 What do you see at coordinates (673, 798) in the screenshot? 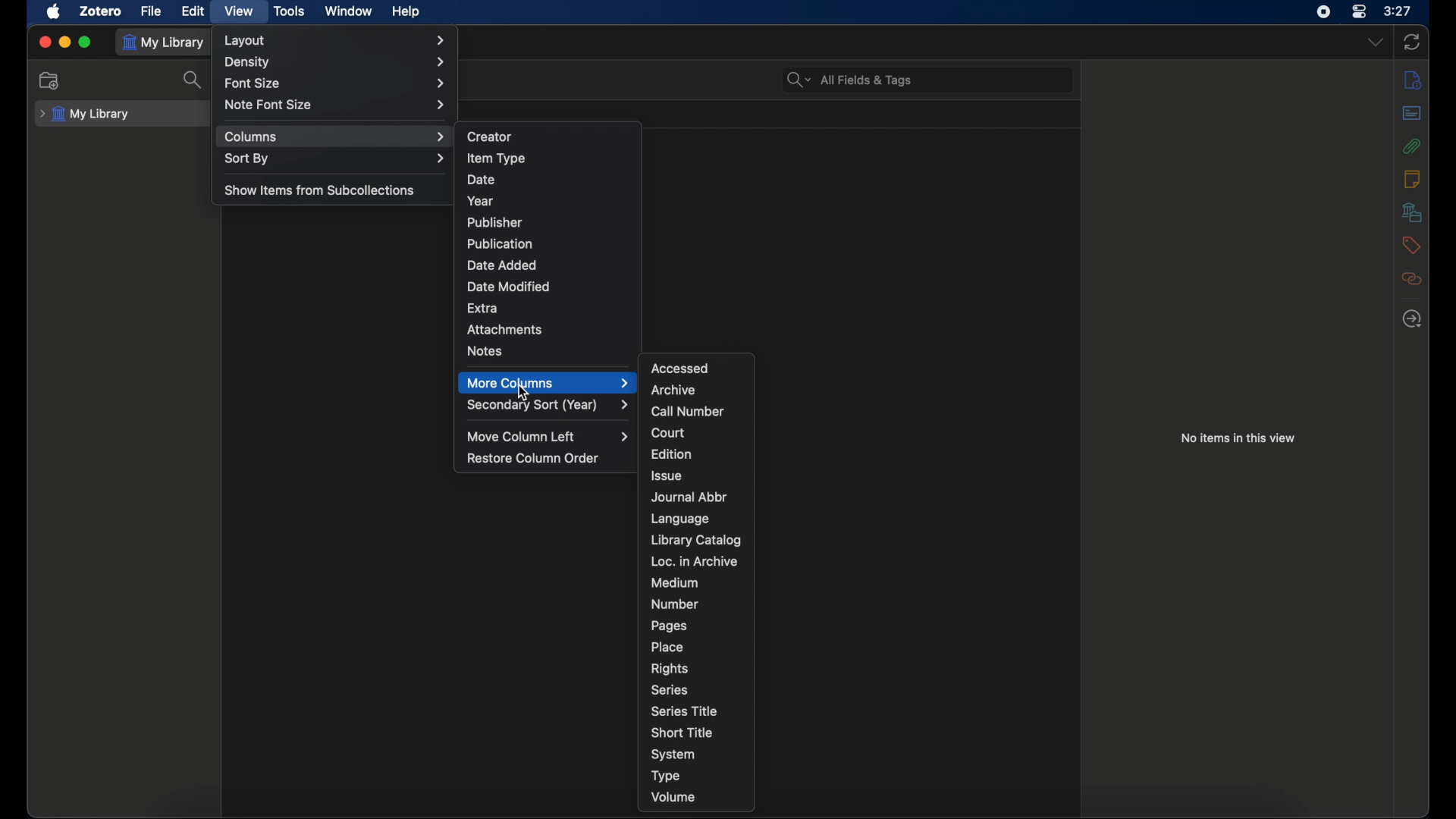
I see `volume` at bounding box center [673, 798].